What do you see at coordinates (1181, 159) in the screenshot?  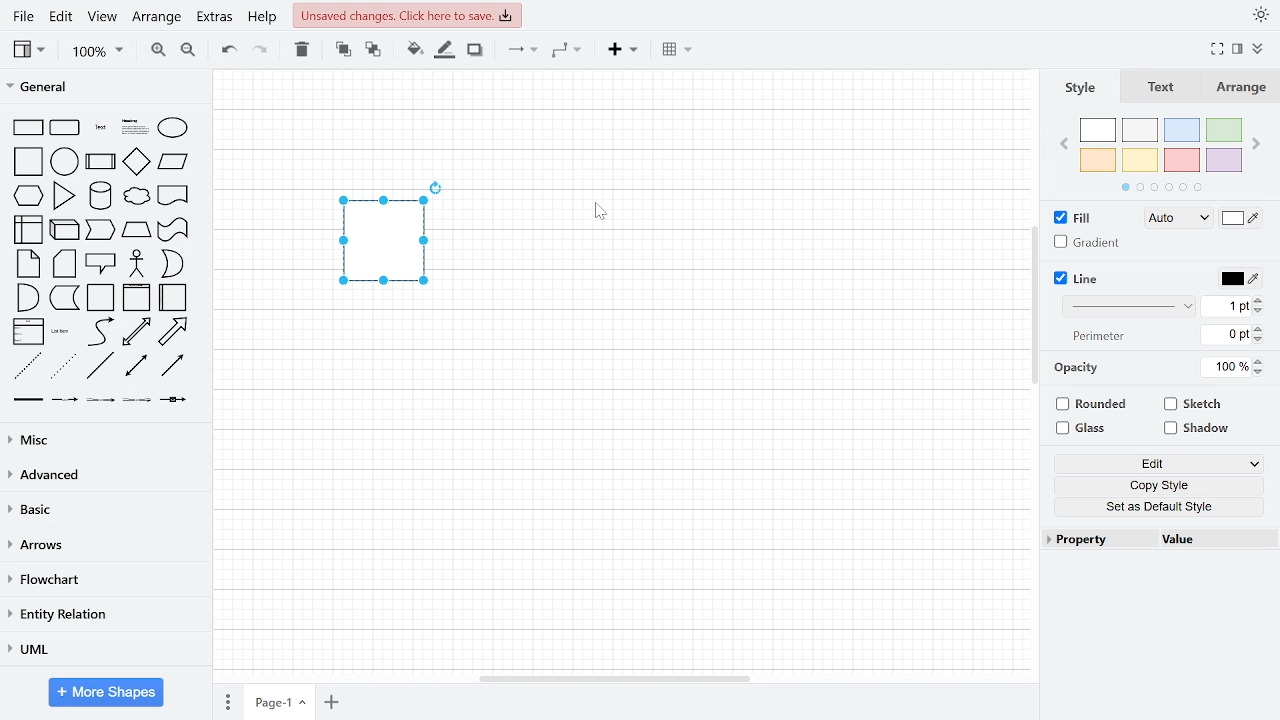 I see `red` at bounding box center [1181, 159].